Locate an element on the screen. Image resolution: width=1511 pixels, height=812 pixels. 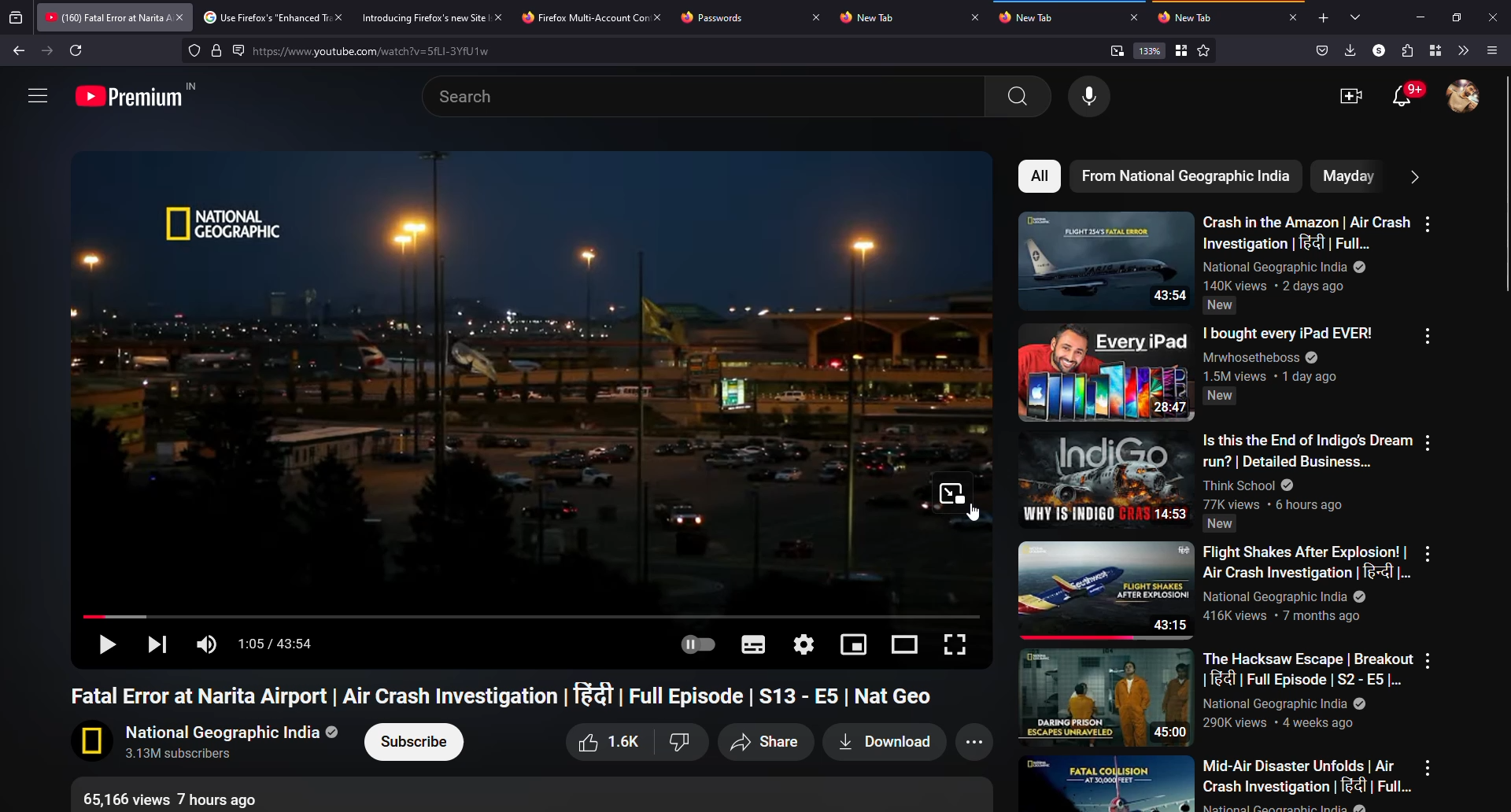
more is located at coordinates (1413, 175).